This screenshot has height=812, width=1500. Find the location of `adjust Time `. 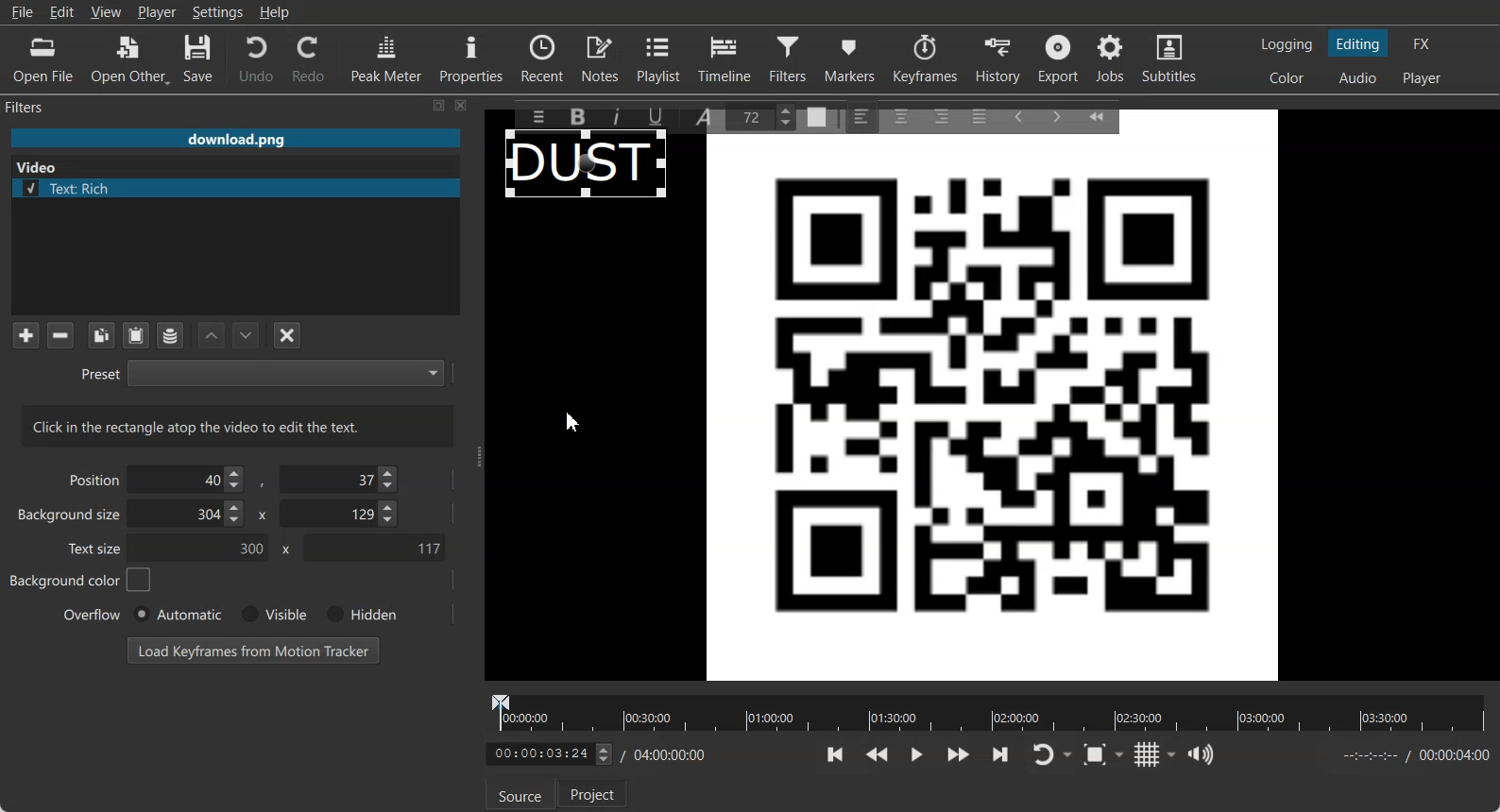

adjust Time  is located at coordinates (548, 755).